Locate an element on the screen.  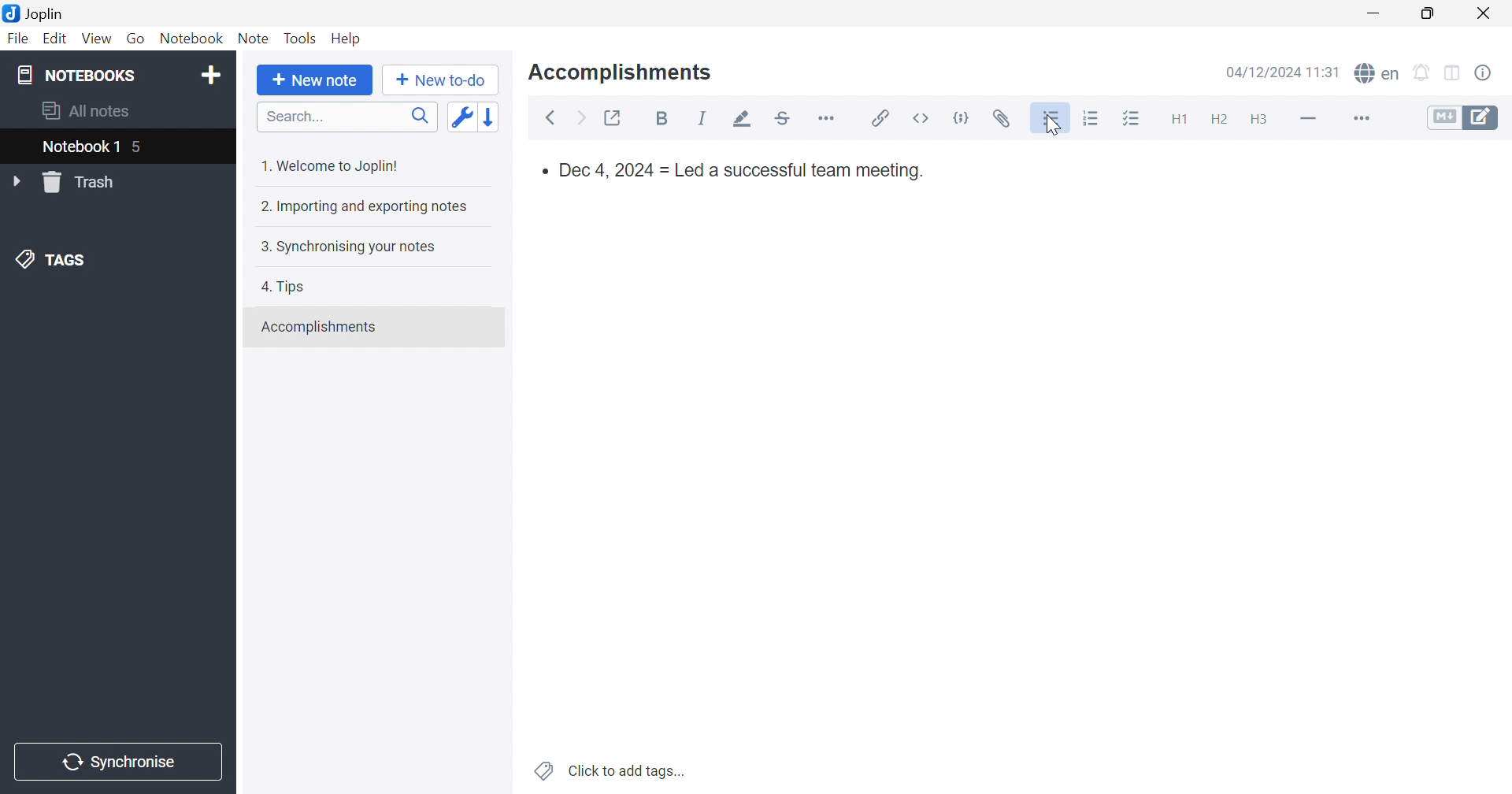
View is located at coordinates (95, 39).